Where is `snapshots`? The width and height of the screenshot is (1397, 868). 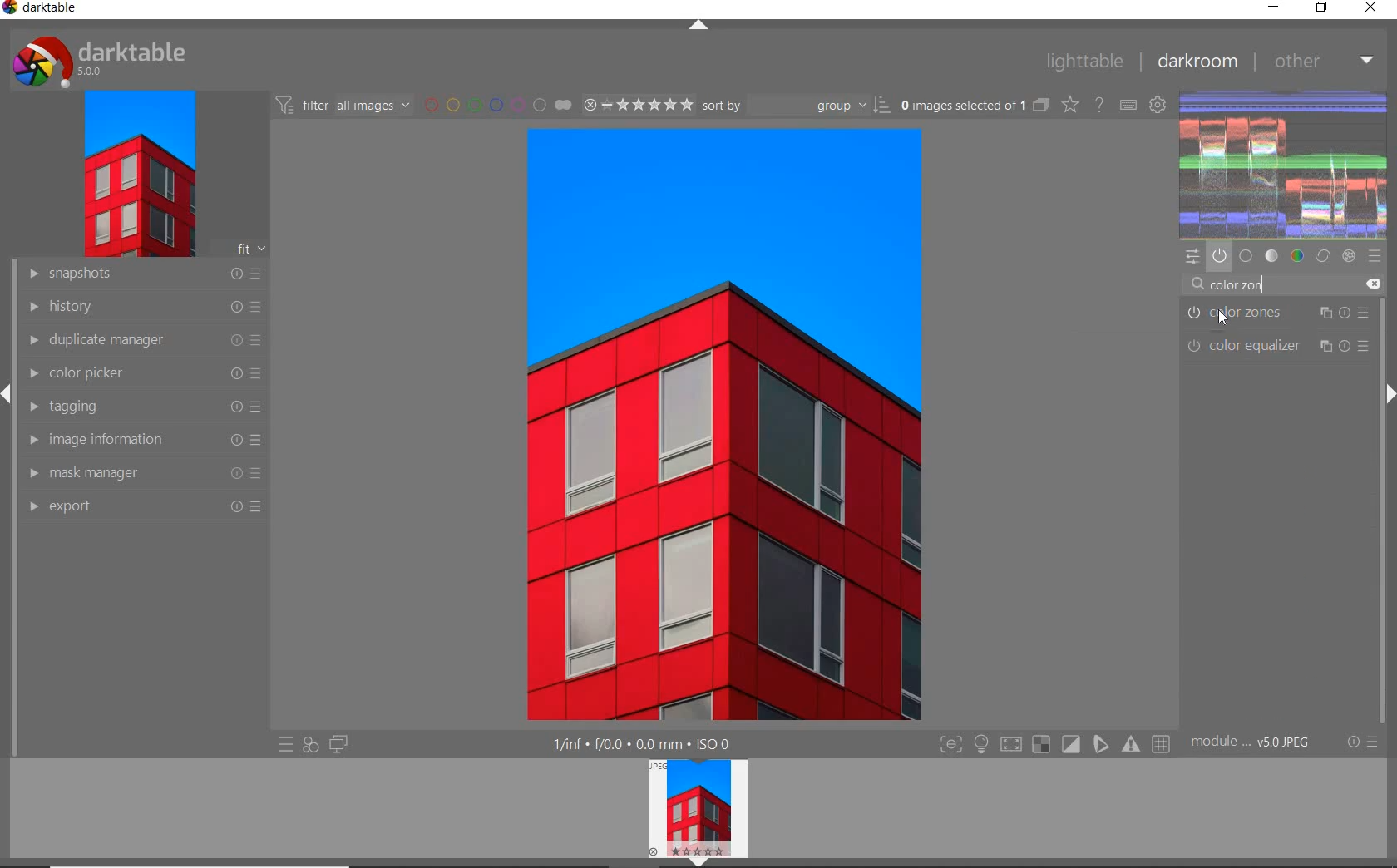
snapshots is located at coordinates (141, 276).